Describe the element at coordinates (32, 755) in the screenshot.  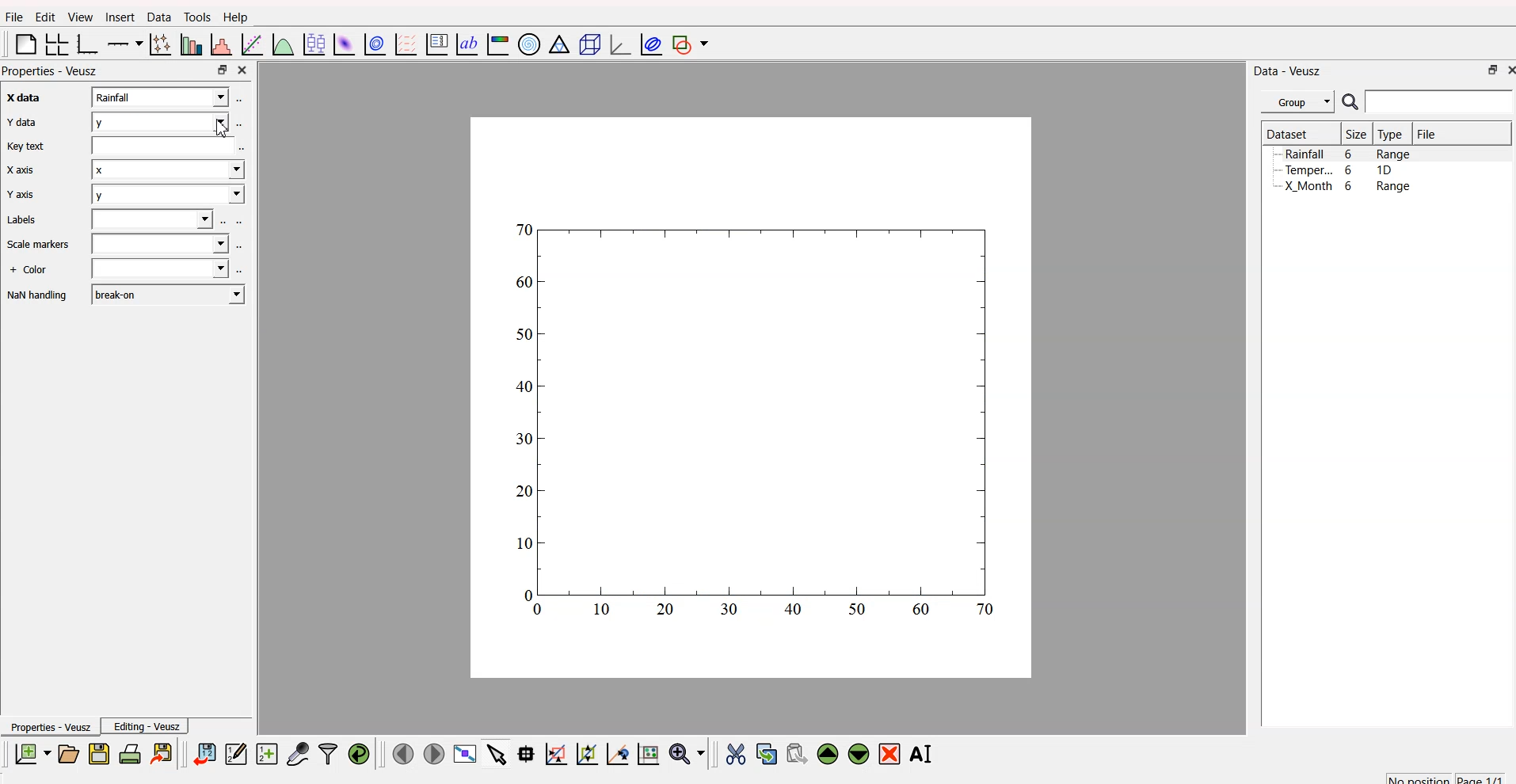
I see `new document` at that location.